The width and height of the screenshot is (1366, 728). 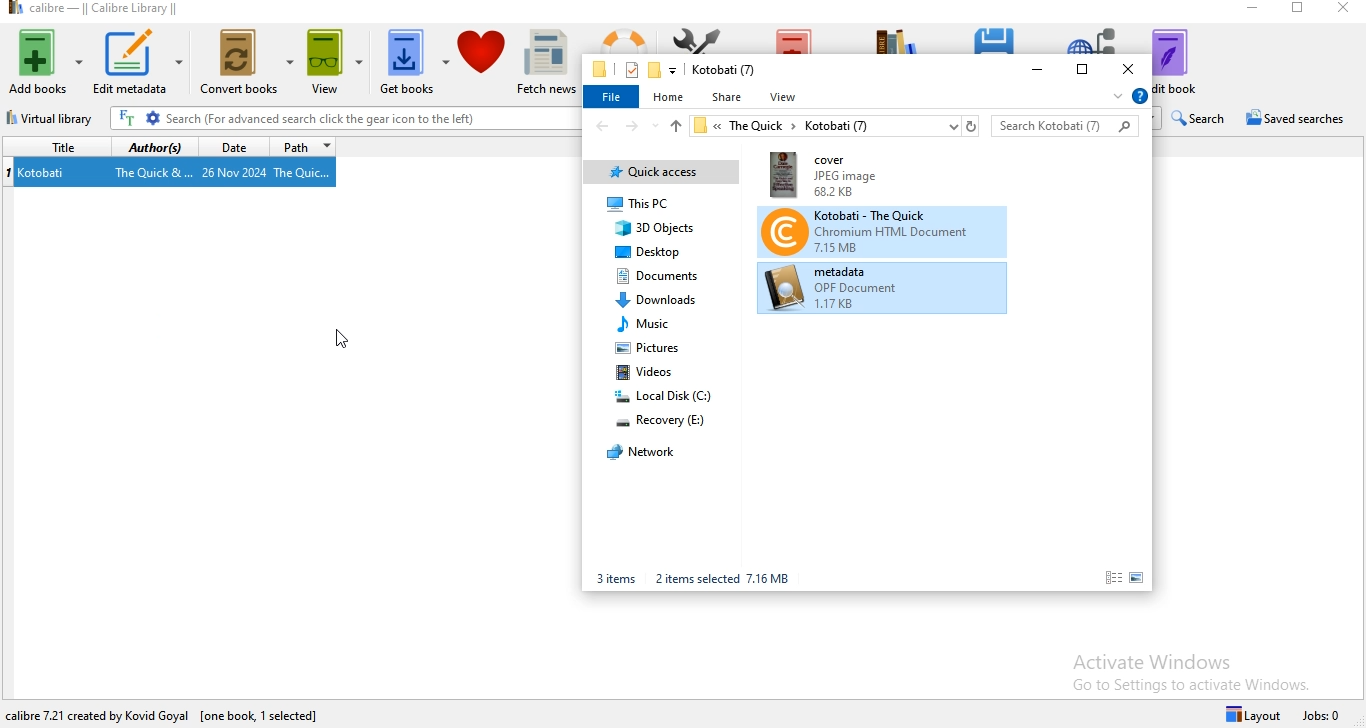 I want to click on search, so click(x=1198, y=118).